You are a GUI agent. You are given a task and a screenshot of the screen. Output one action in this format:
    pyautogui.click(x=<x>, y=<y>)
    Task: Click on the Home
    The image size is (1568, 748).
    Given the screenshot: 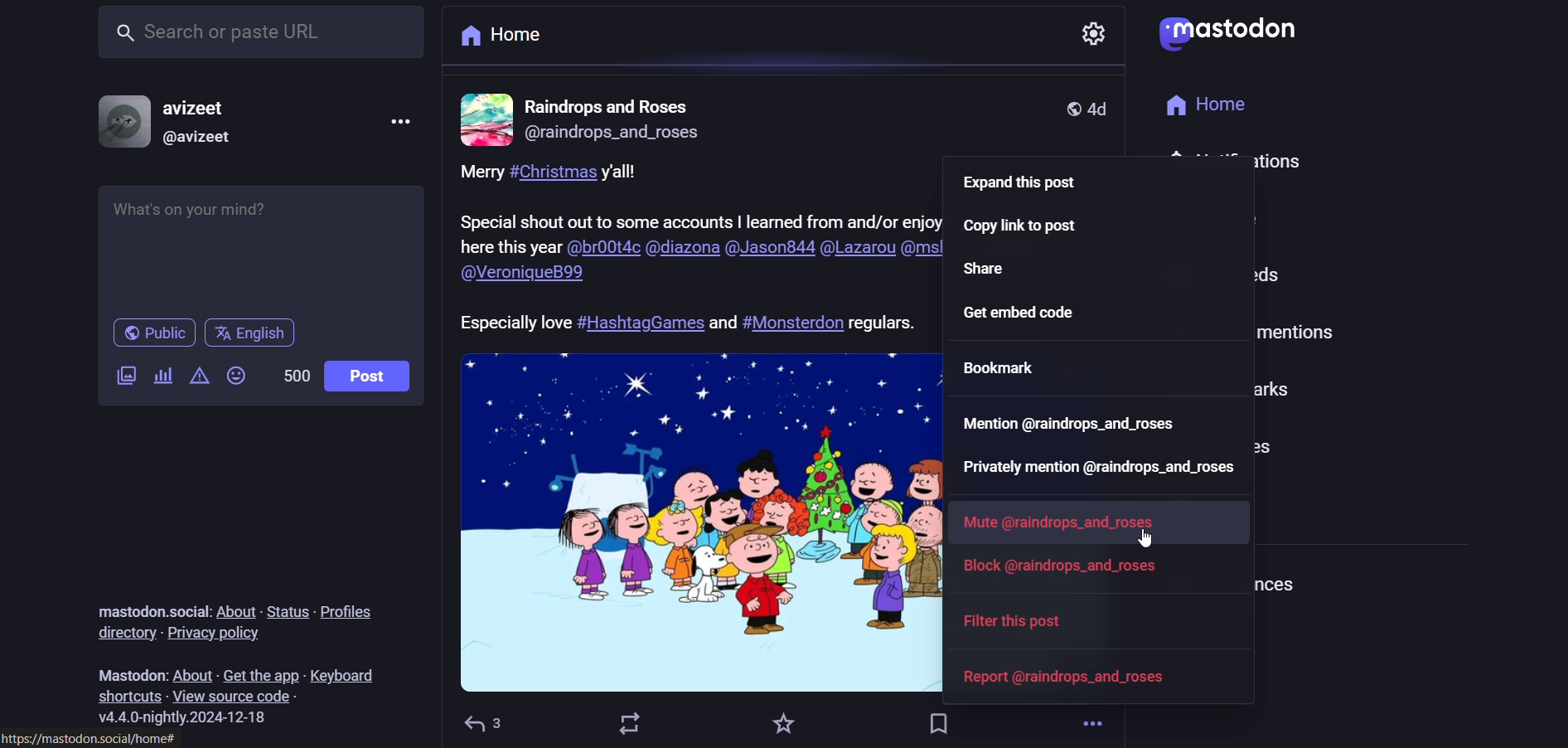 What is the action you would take?
    pyautogui.click(x=1215, y=105)
    